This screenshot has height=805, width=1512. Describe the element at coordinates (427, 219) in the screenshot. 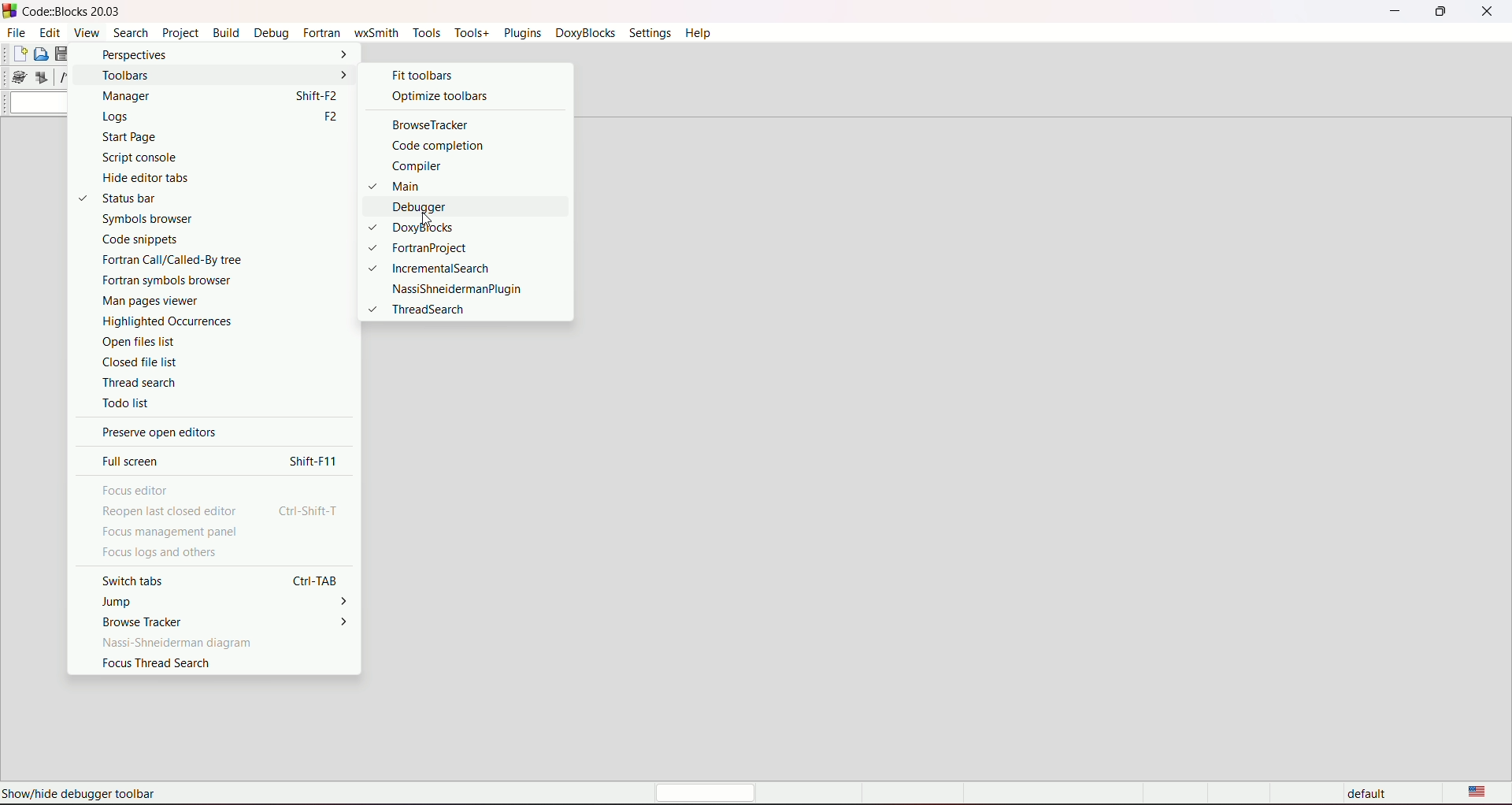

I see `cursor` at that location.